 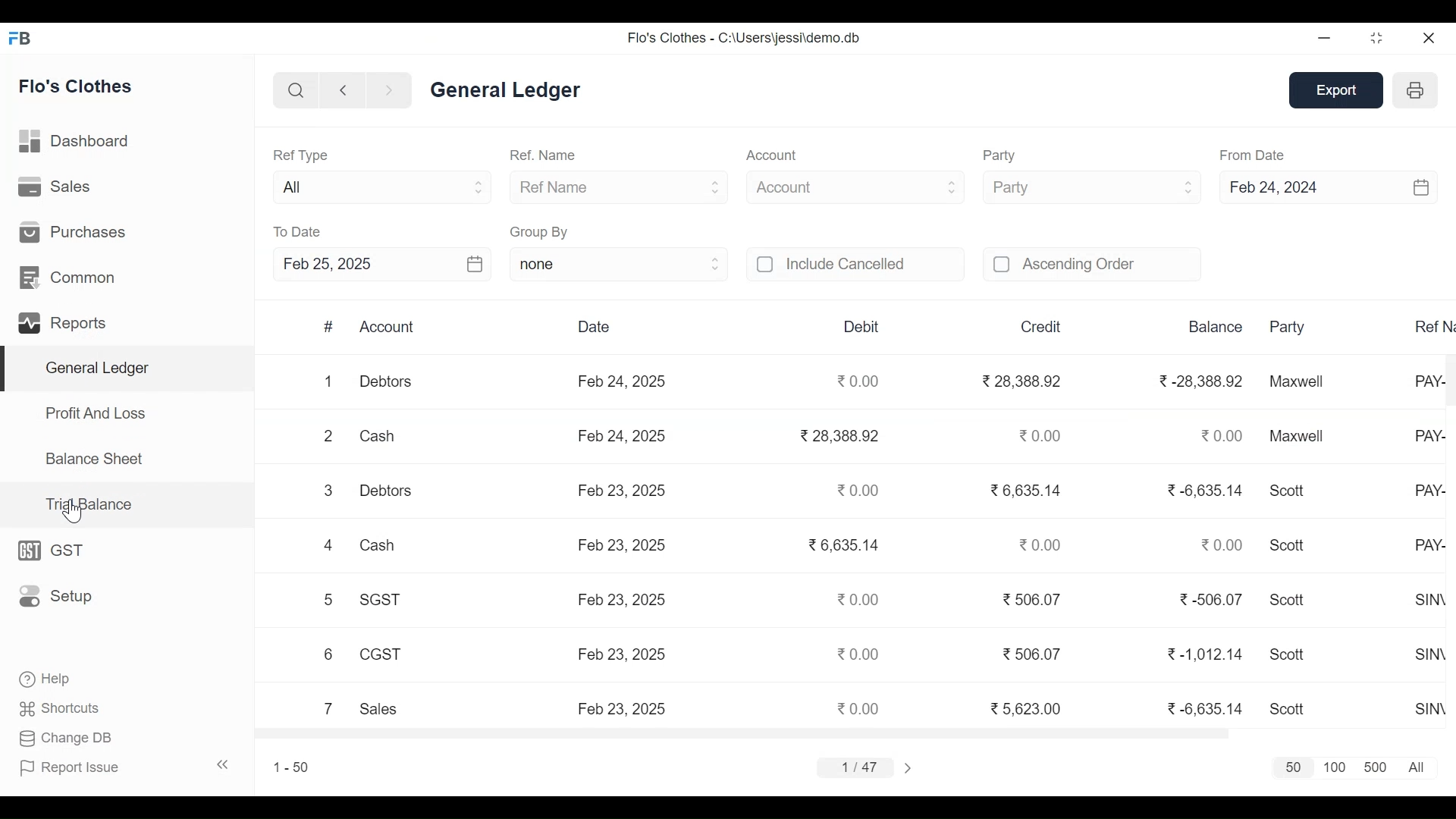 What do you see at coordinates (21, 39) in the screenshot?
I see `Frappe Books Desktop icon` at bounding box center [21, 39].